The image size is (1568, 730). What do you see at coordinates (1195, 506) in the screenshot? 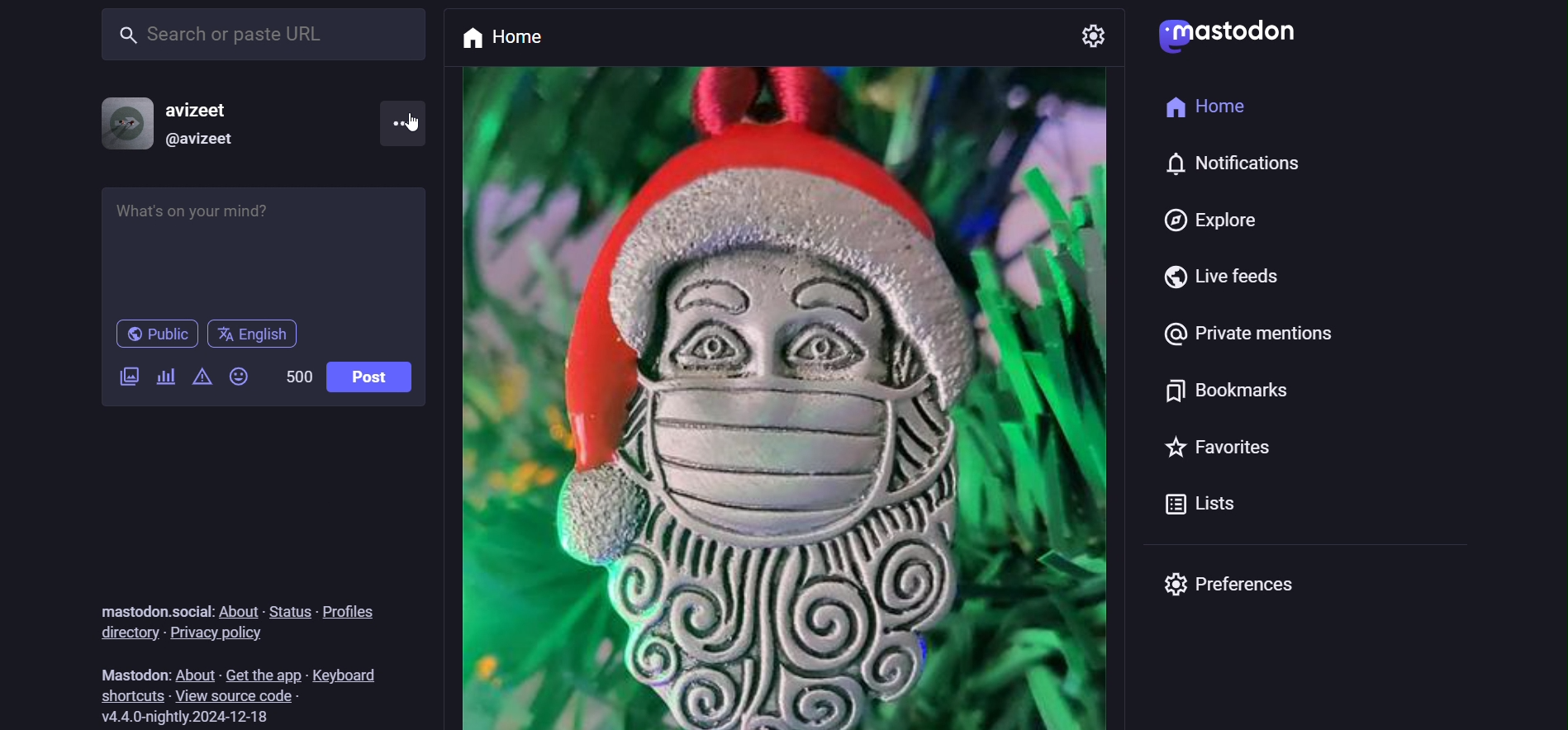
I see `lists` at bounding box center [1195, 506].